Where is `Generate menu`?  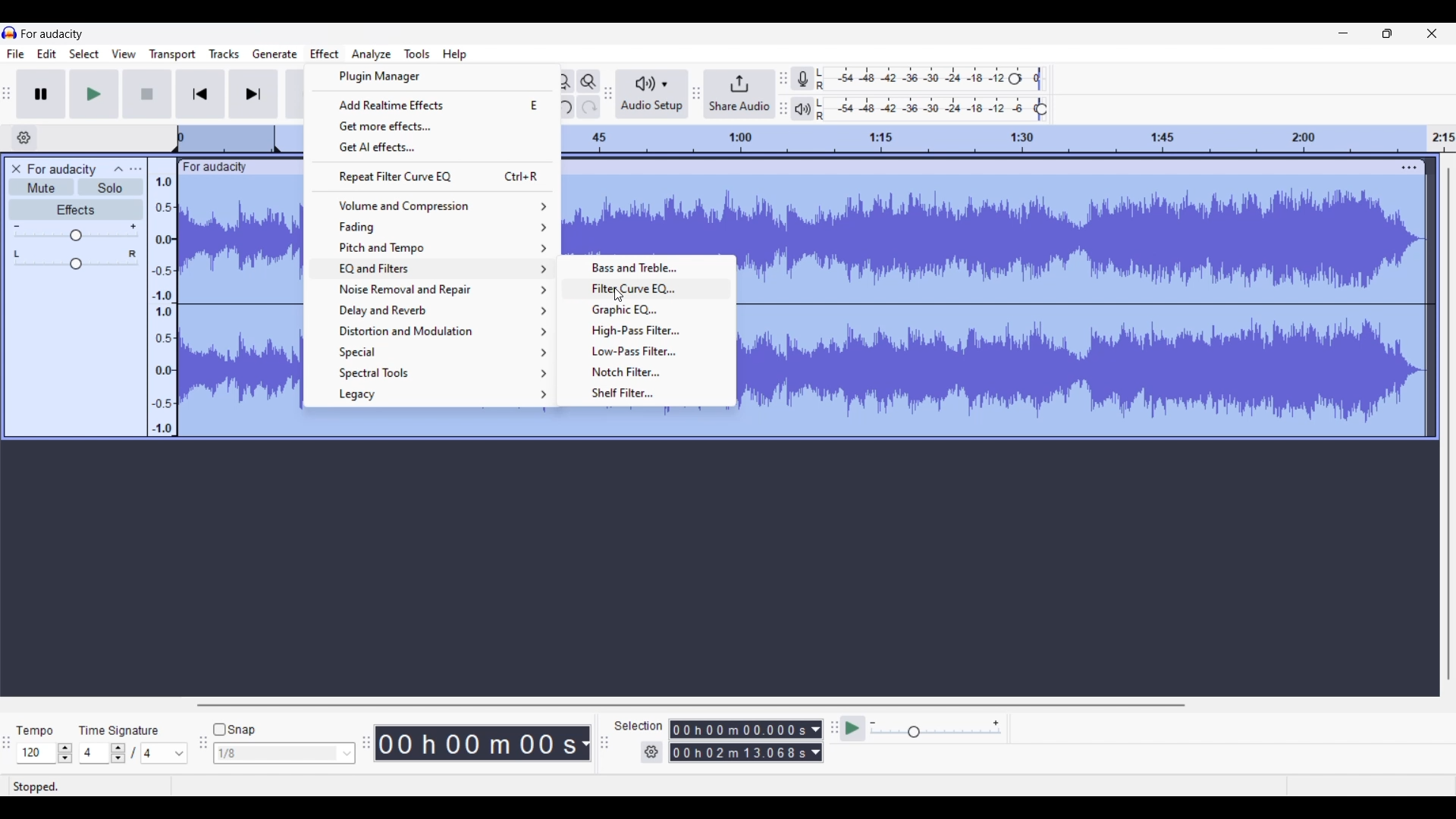 Generate menu is located at coordinates (275, 55).